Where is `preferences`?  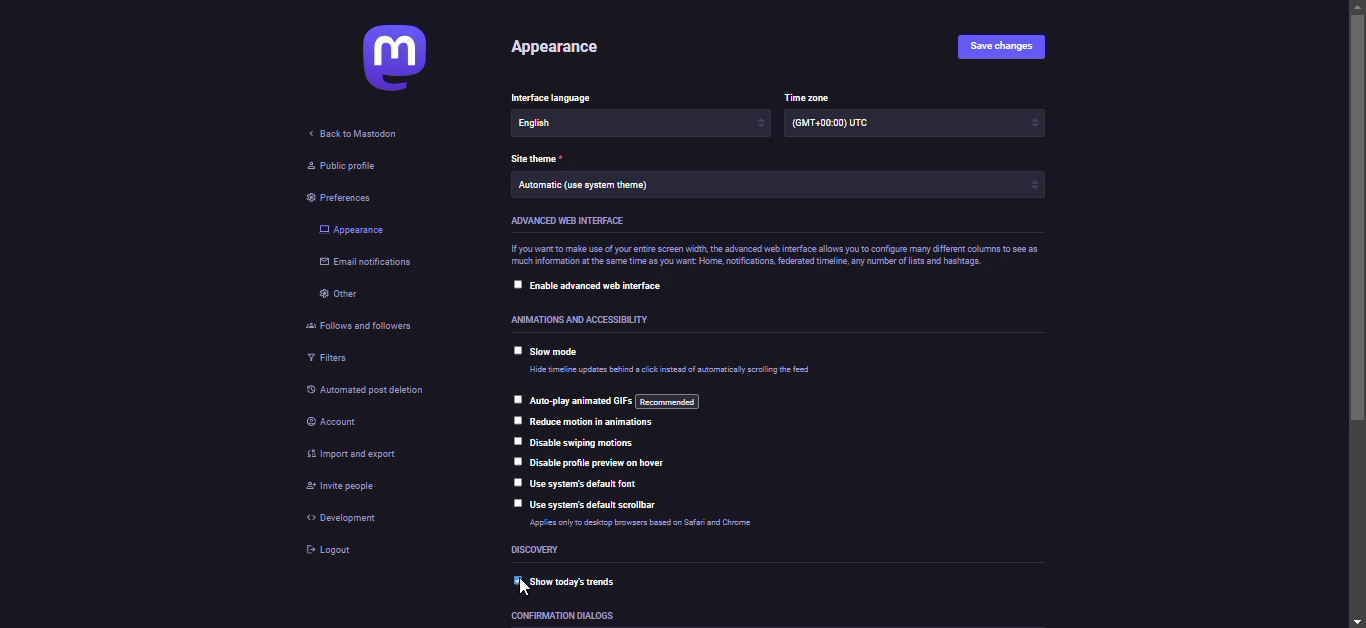
preferences is located at coordinates (345, 198).